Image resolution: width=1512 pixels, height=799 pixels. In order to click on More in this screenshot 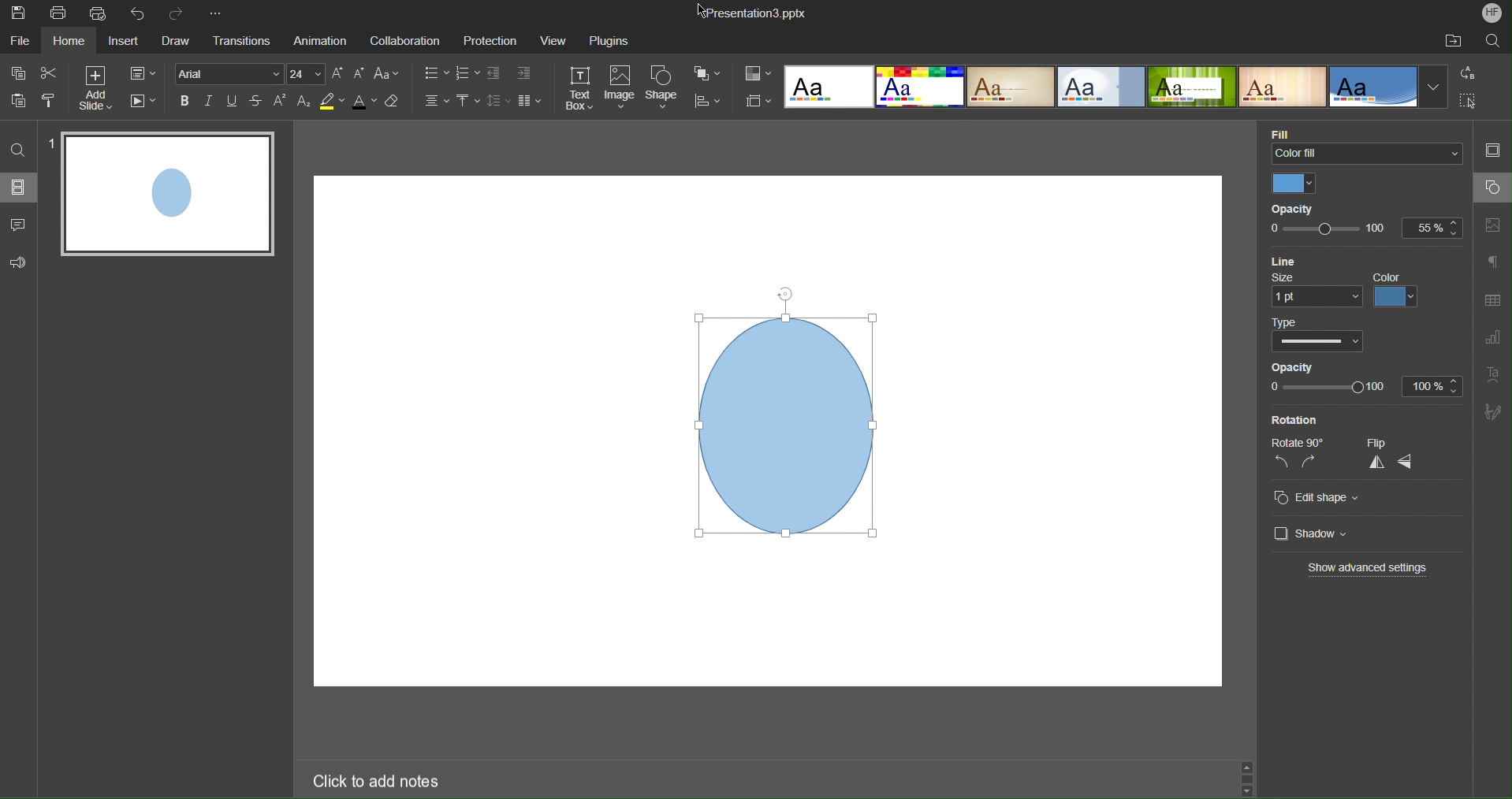, I will do `click(215, 11)`.